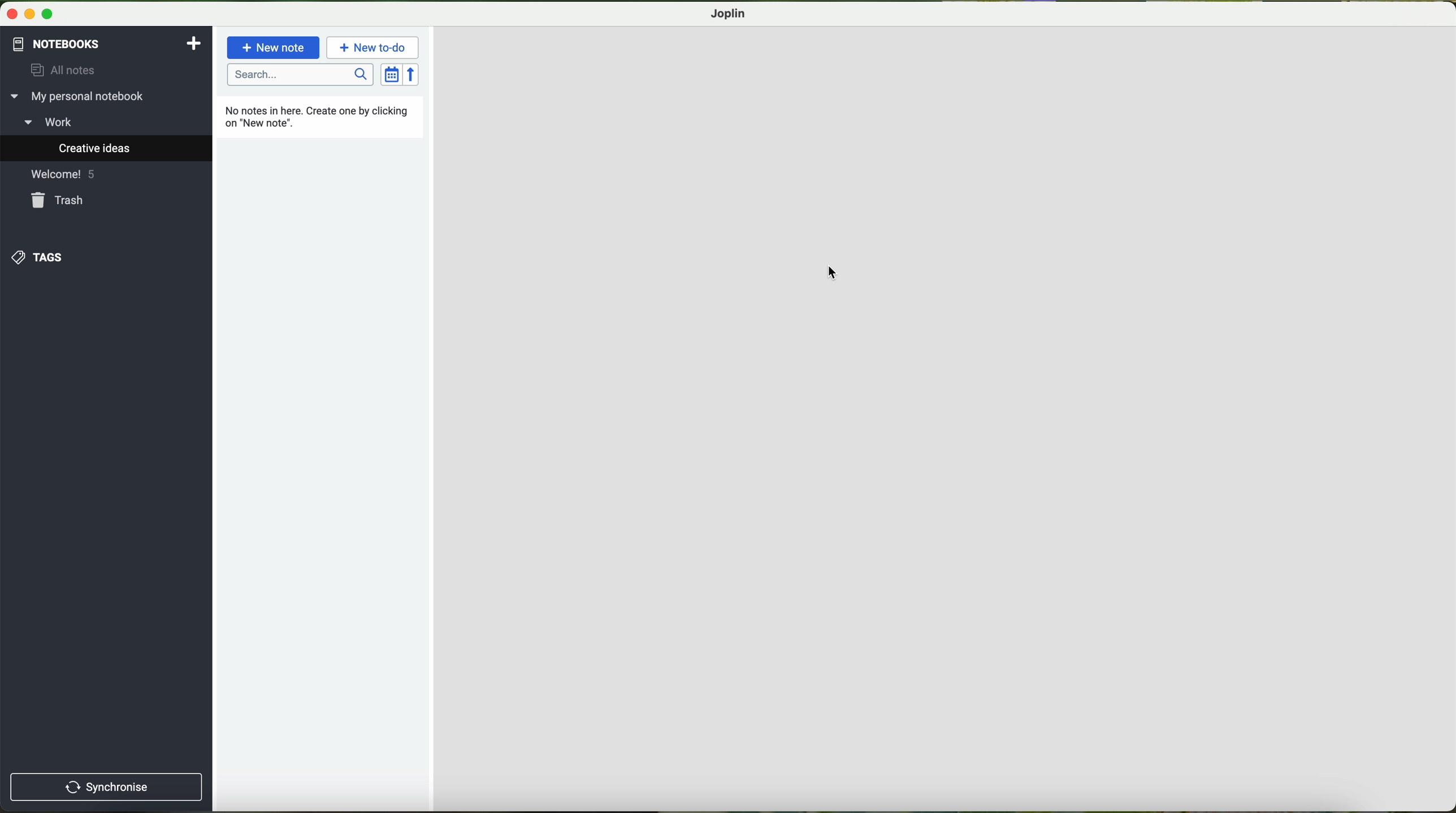  Describe the element at coordinates (80, 148) in the screenshot. I see `creative ideas subnotebook` at that location.